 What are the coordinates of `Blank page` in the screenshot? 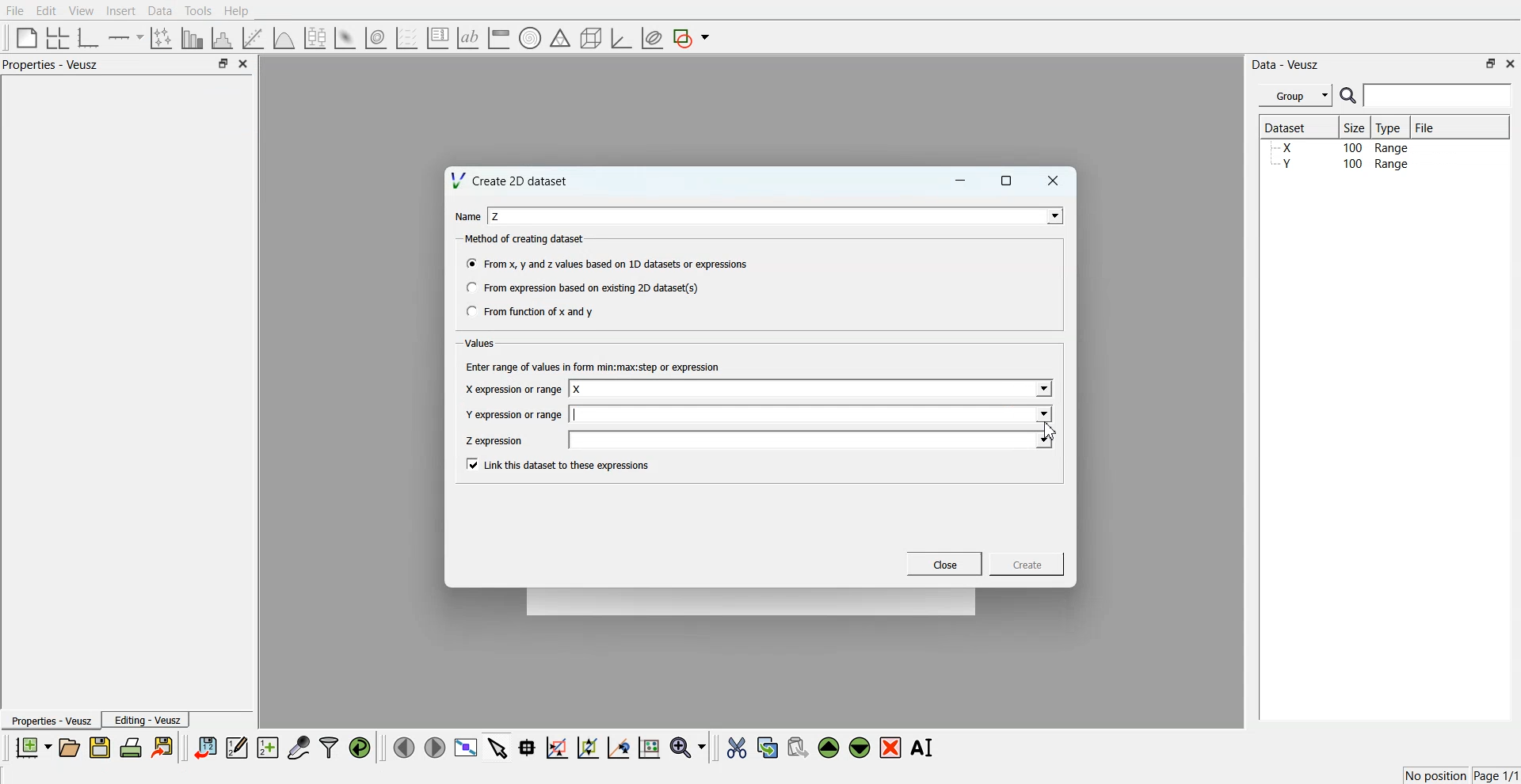 It's located at (27, 37).